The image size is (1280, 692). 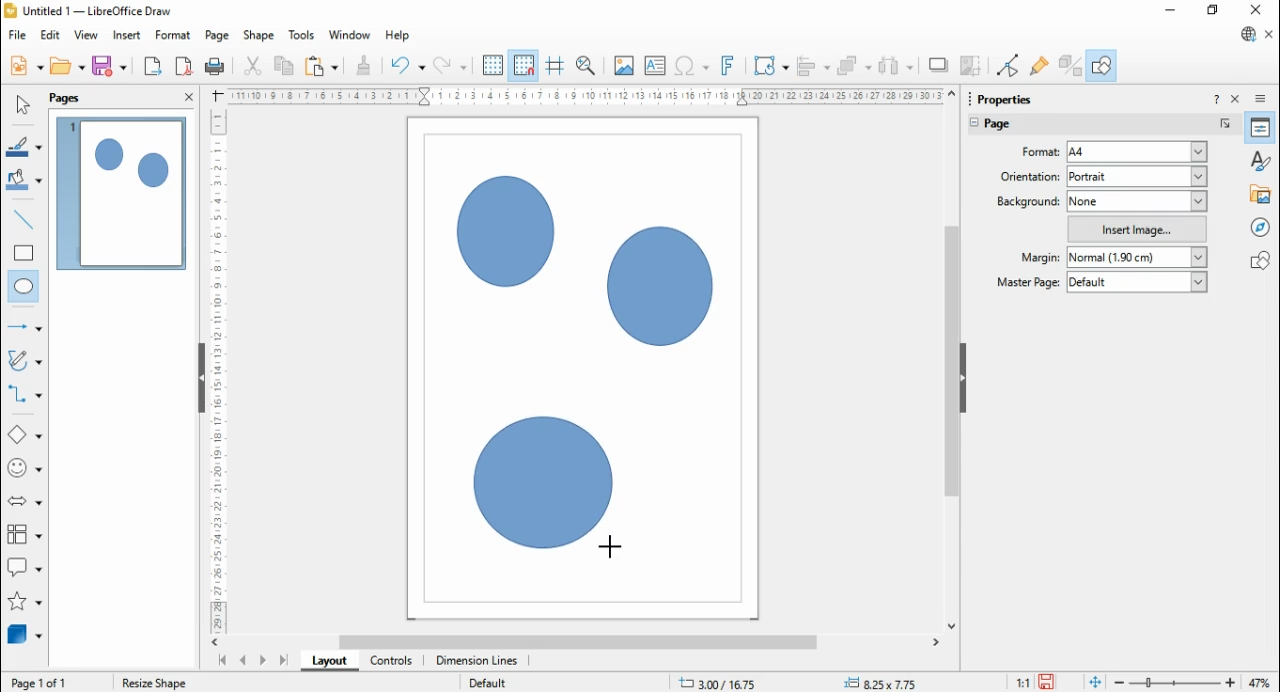 What do you see at coordinates (350, 35) in the screenshot?
I see `window` at bounding box center [350, 35].